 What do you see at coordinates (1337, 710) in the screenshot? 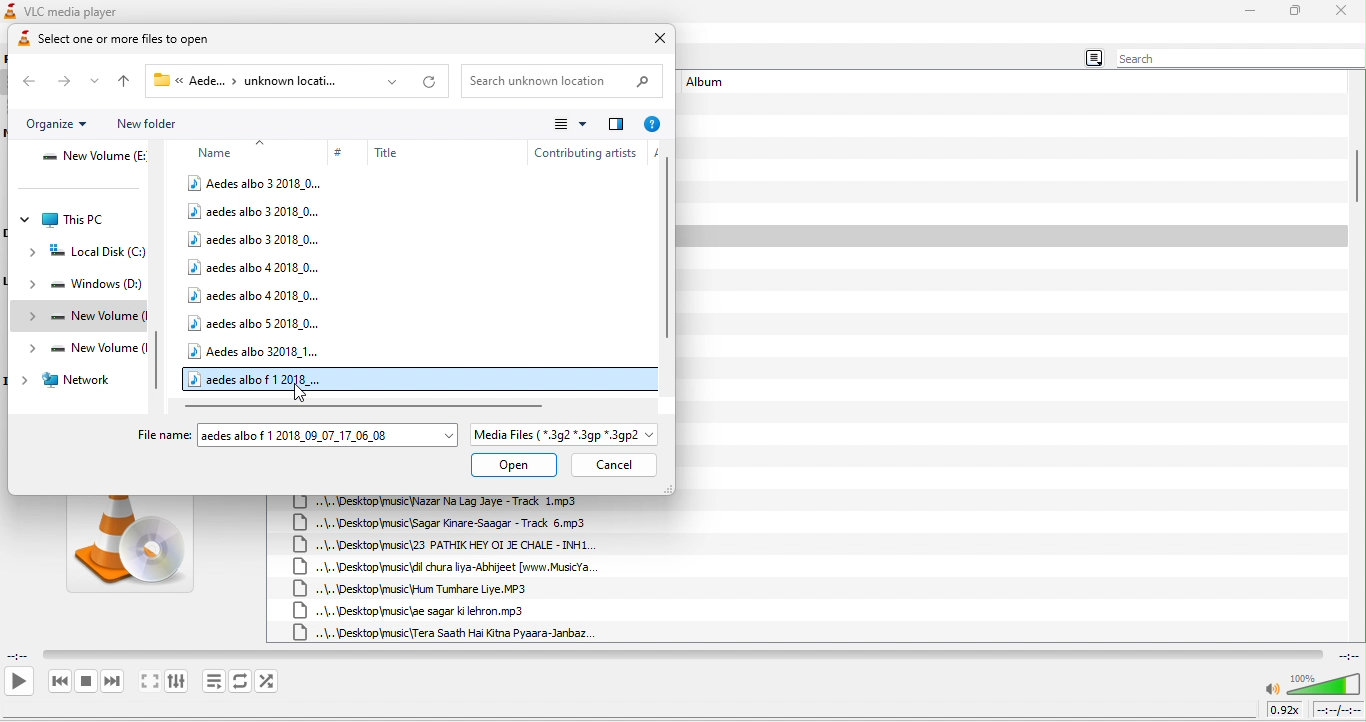
I see `total time/remaining time` at bounding box center [1337, 710].